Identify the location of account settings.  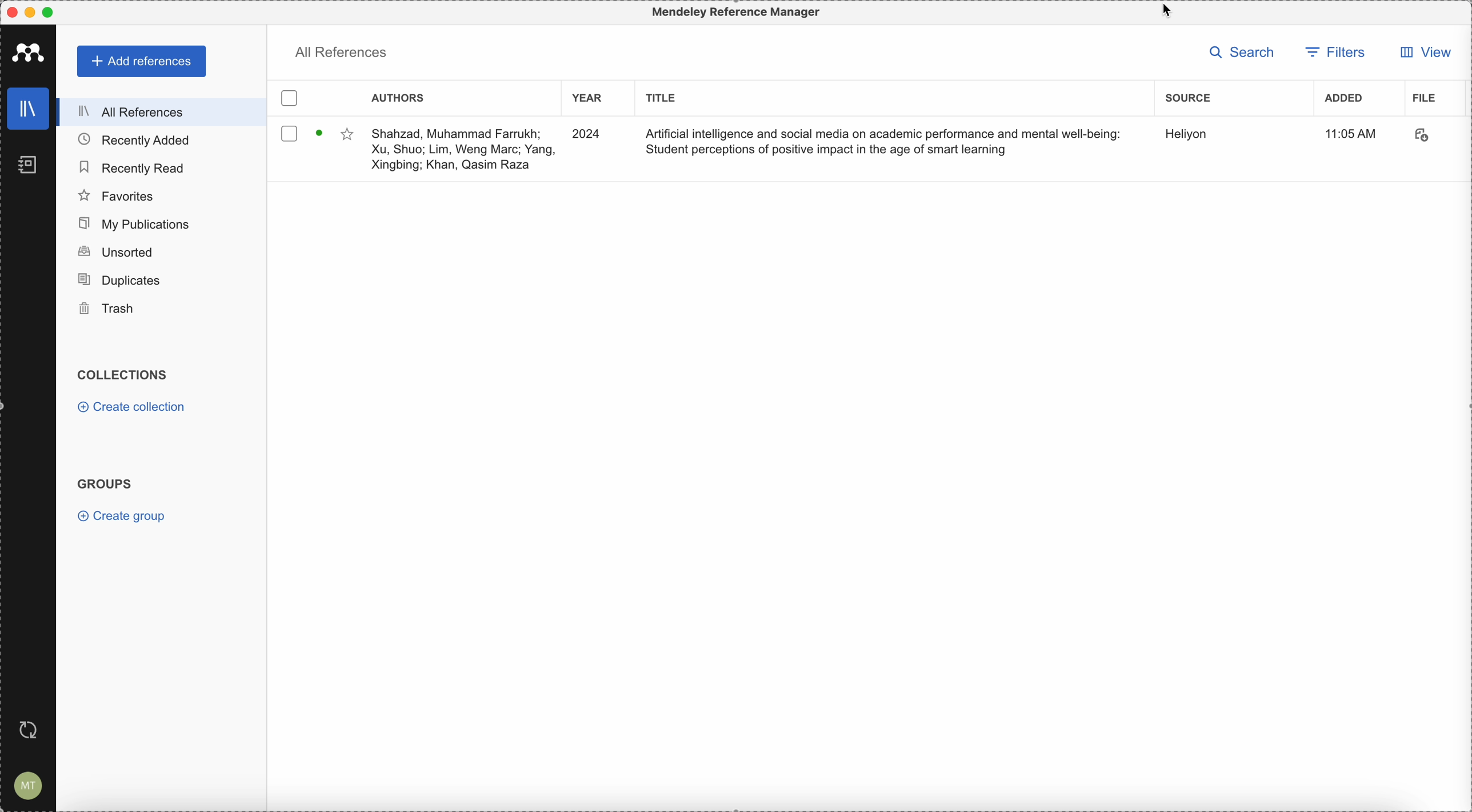
(30, 785).